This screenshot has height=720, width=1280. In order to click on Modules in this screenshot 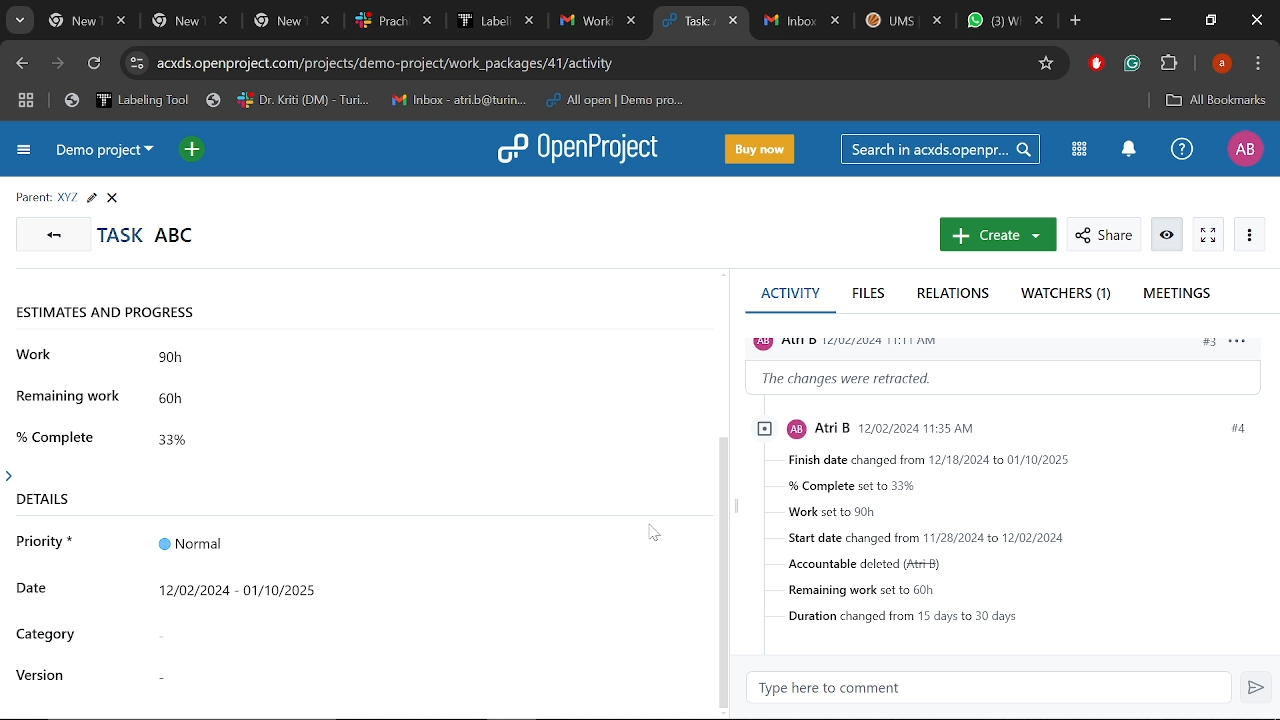, I will do `click(1080, 151)`.